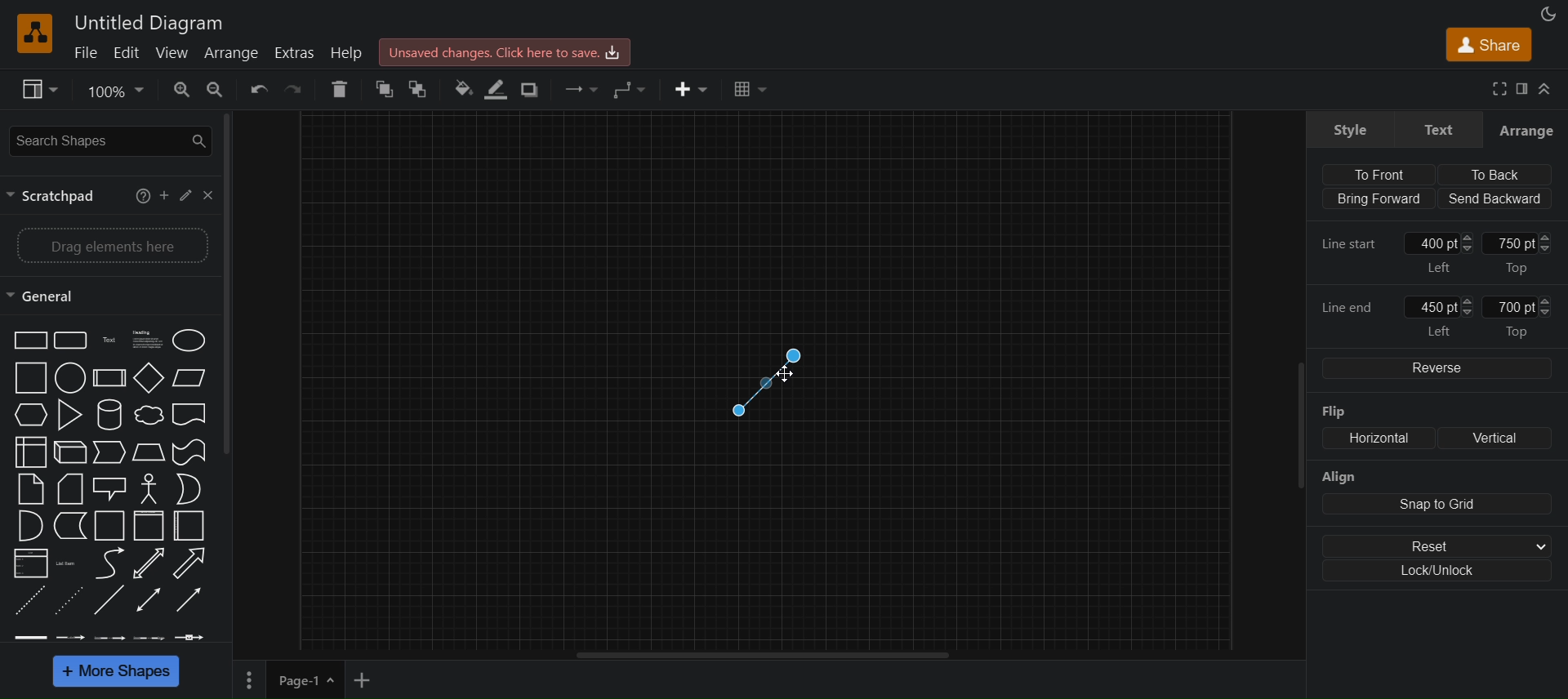 This screenshot has height=699, width=1568. I want to click on to front, so click(385, 89).